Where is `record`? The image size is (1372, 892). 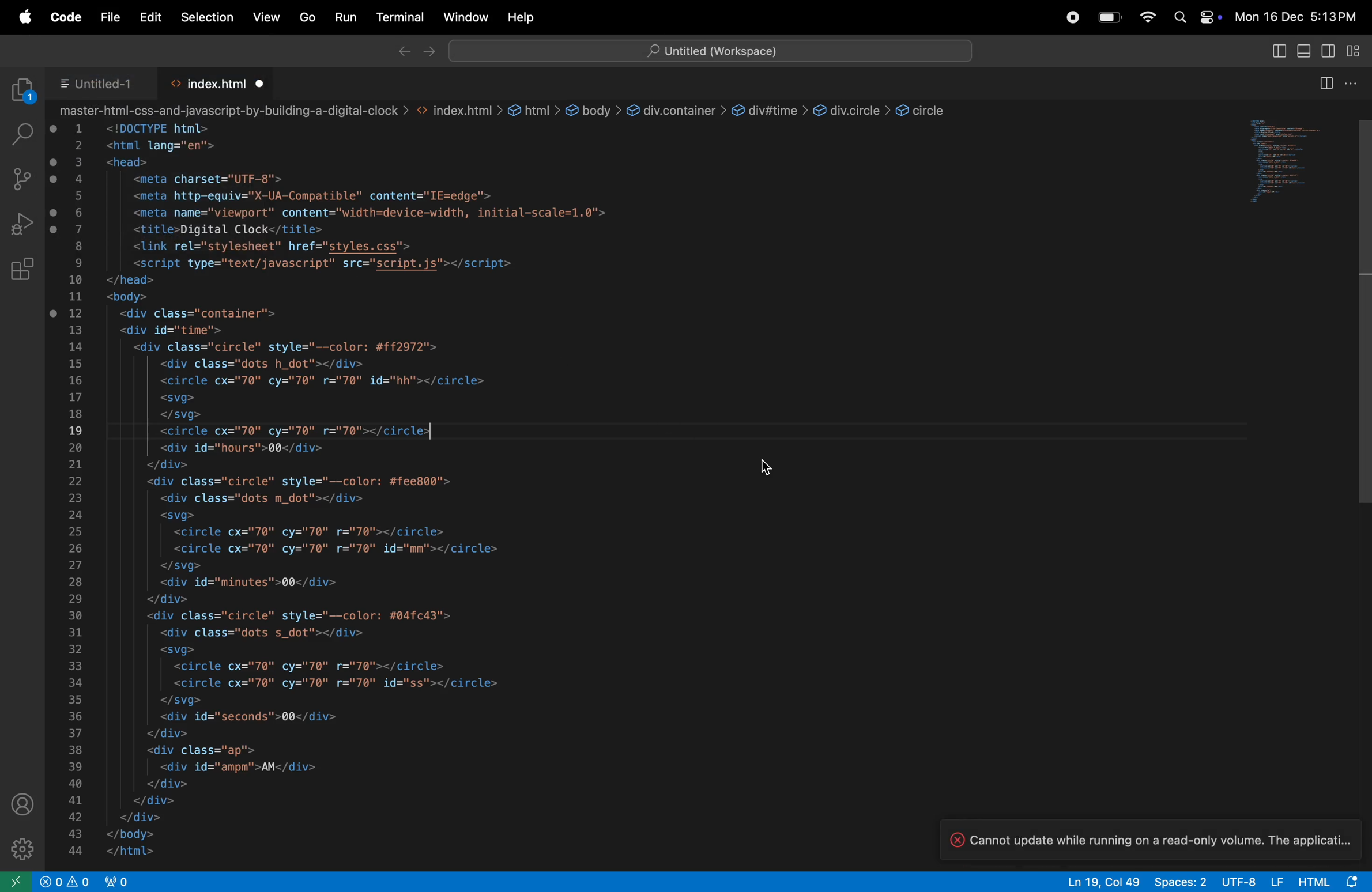
record is located at coordinates (1074, 14).